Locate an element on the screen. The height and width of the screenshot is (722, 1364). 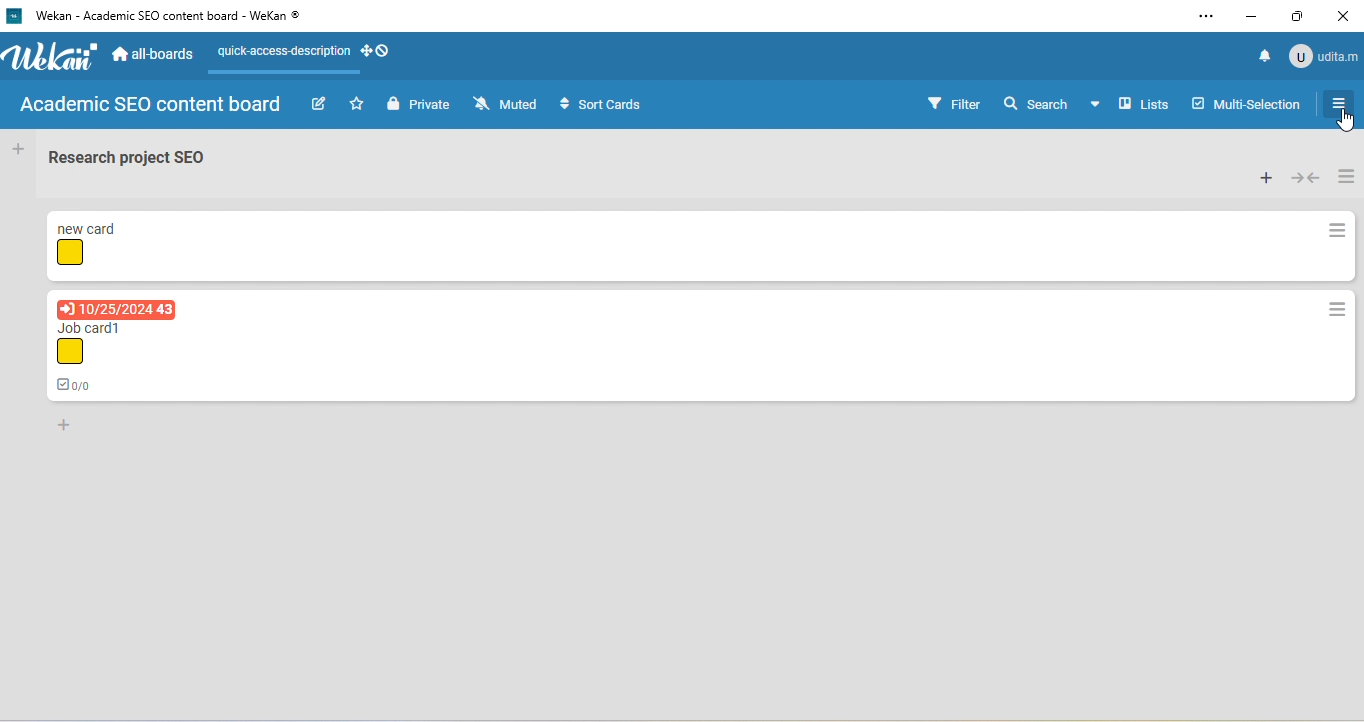
Research project SEO is located at coordinates (129, 157).